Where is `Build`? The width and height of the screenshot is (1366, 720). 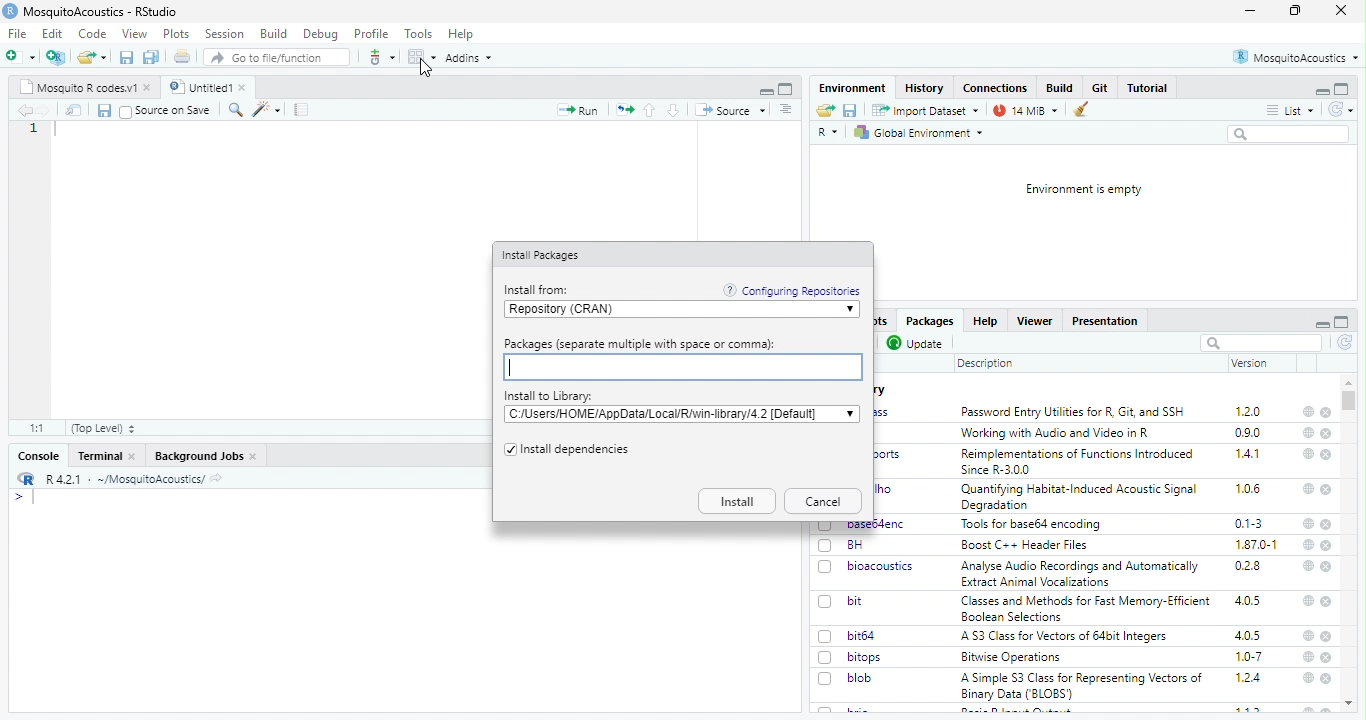
Build is located at coordinates (274, 34).